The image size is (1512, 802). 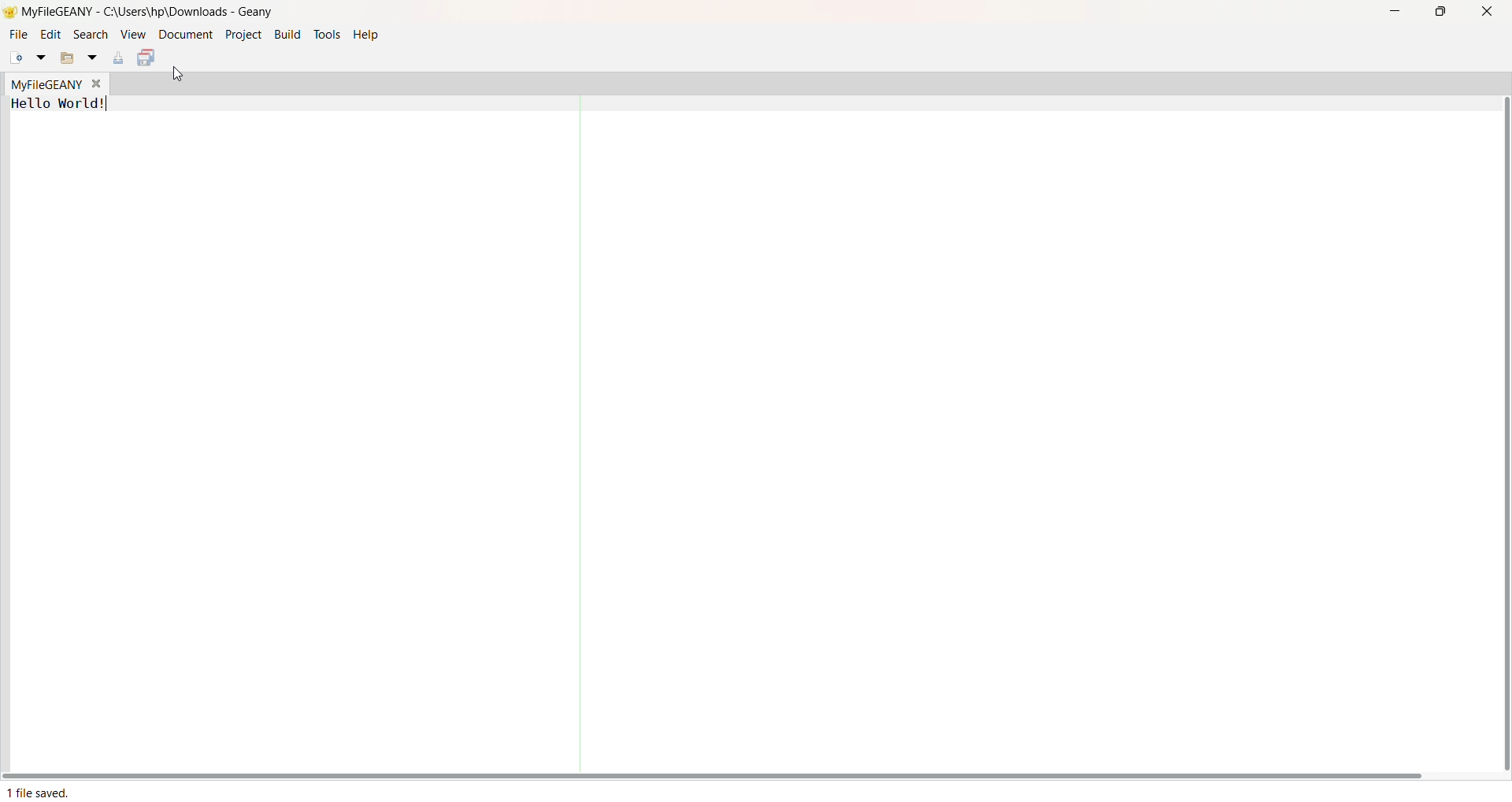 I want to click on Partitioner, so click(x=584, y=433).